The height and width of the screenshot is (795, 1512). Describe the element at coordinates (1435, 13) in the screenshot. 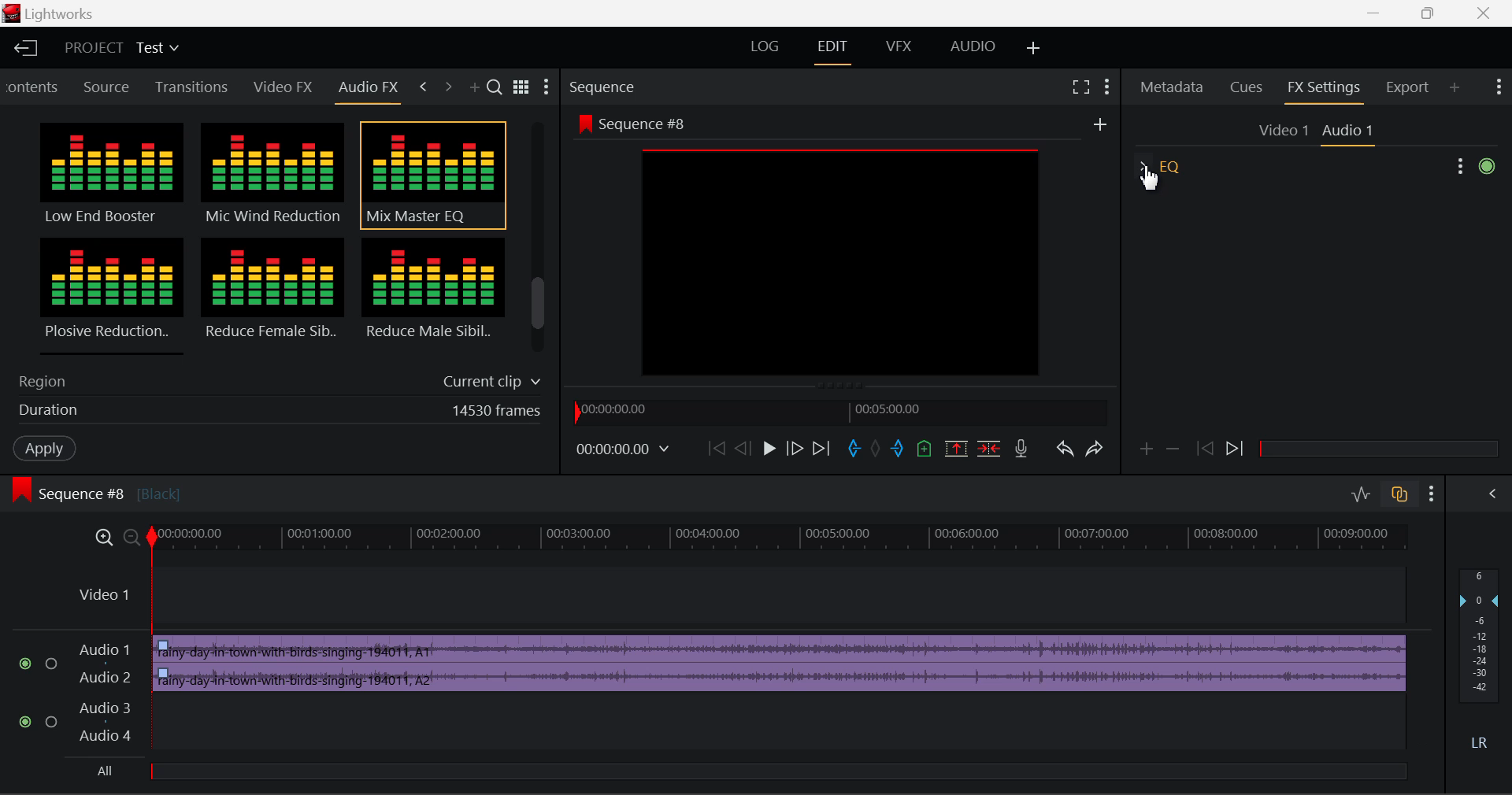

I see `Minimize` at that location.